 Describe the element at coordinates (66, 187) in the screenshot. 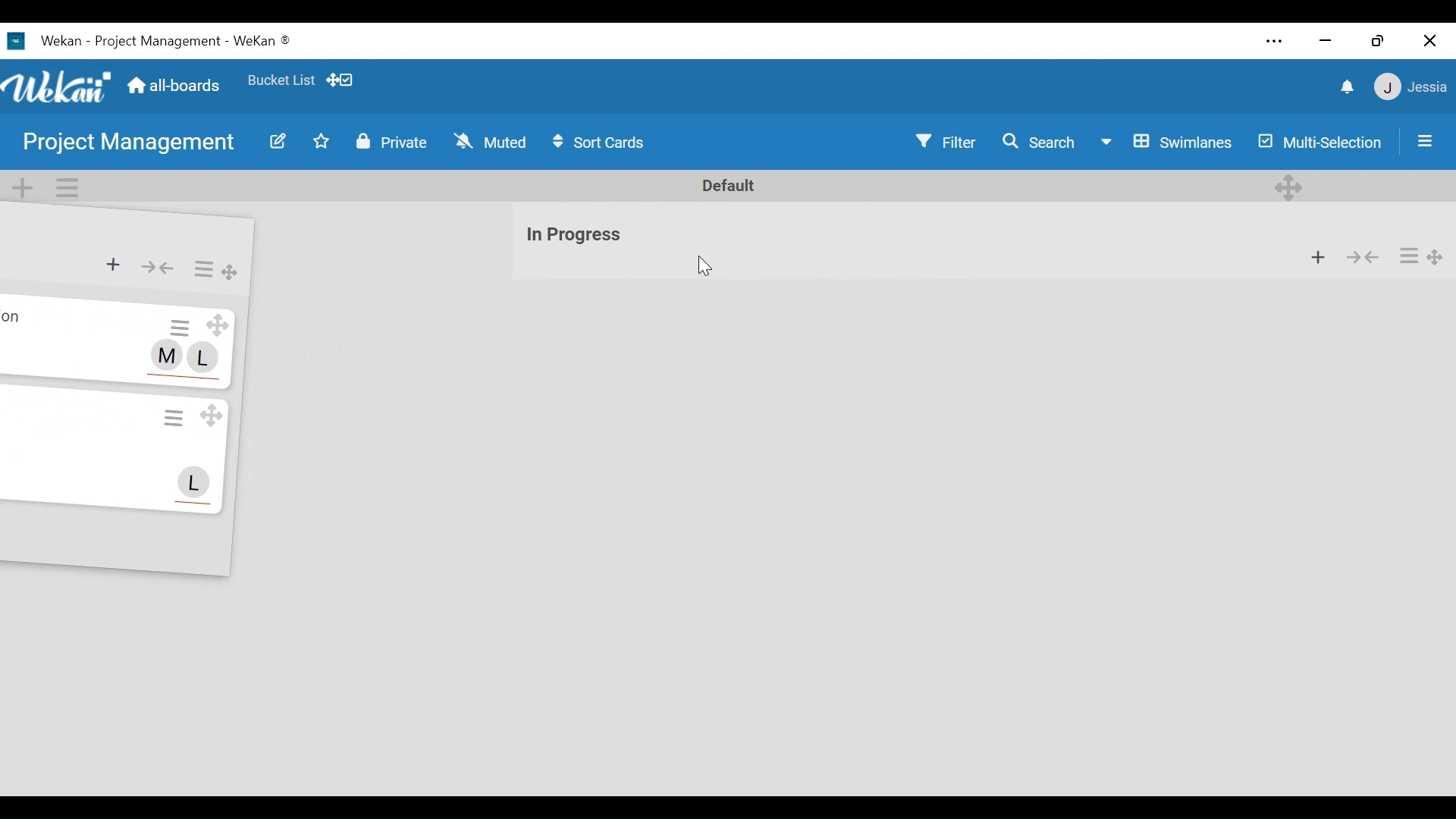

I see `Swimlane actions` at that location.